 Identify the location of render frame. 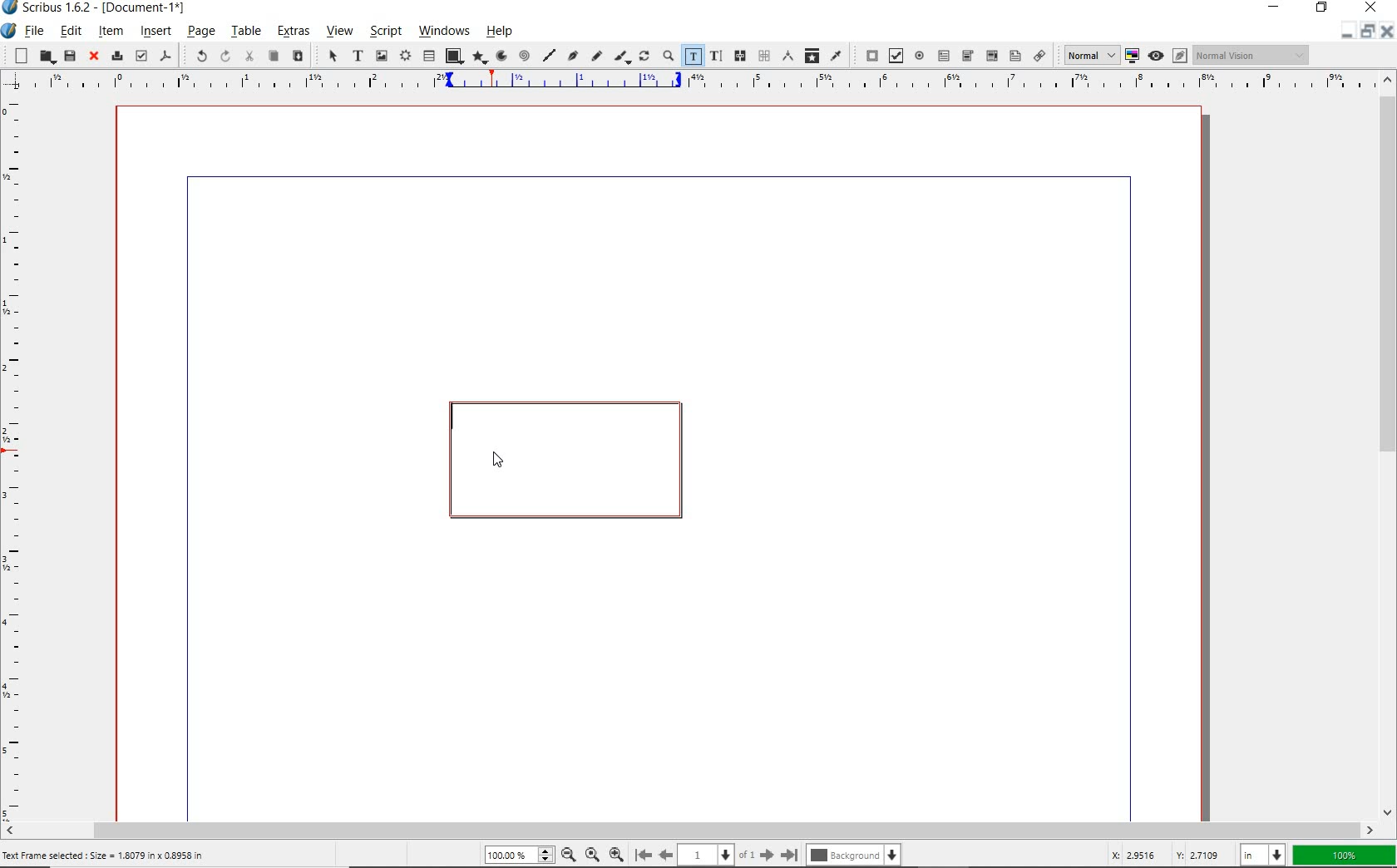
(404, 57).